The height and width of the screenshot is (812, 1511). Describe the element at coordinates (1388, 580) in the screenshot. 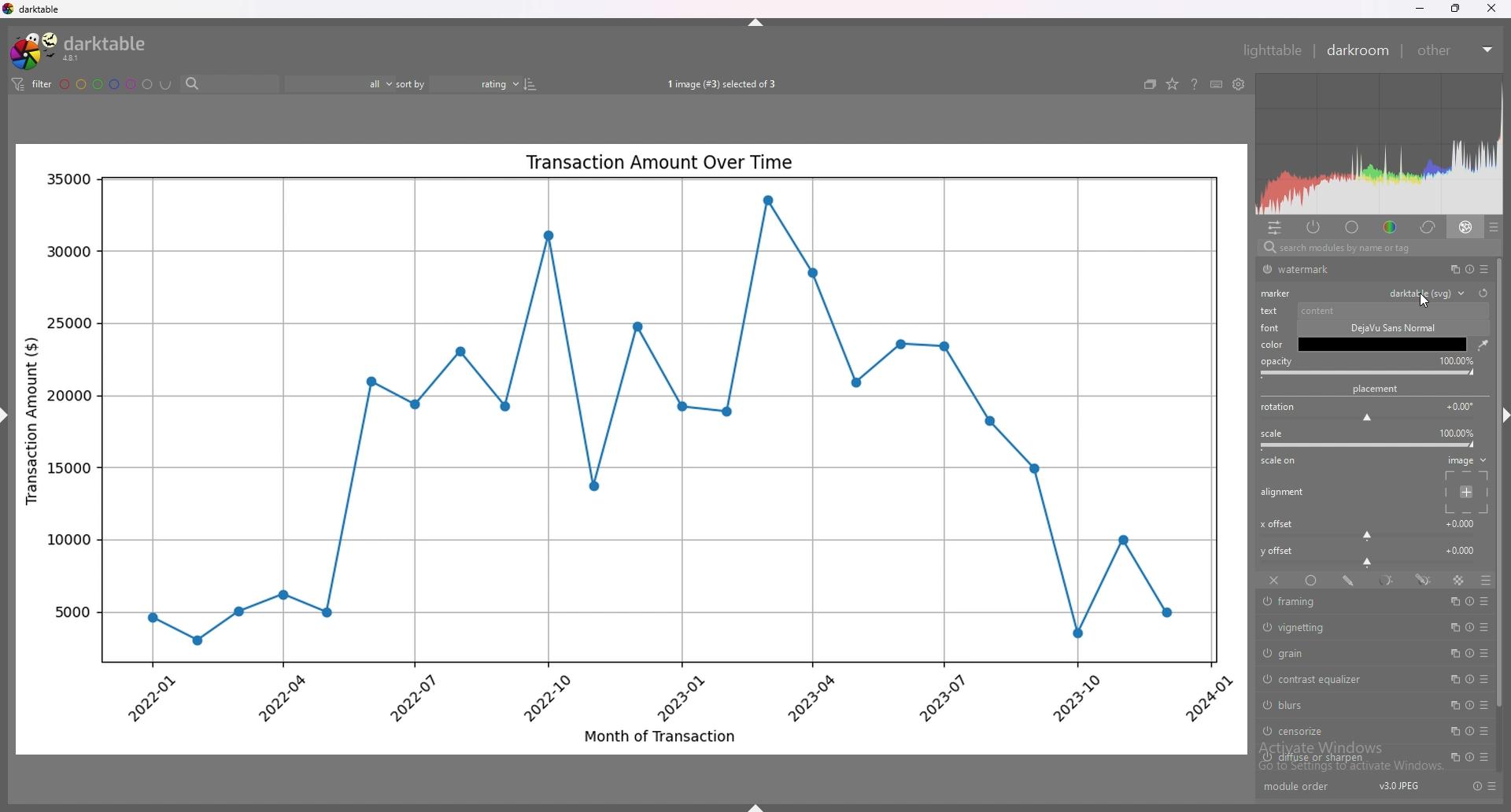

I see `parametric mask` at that location.